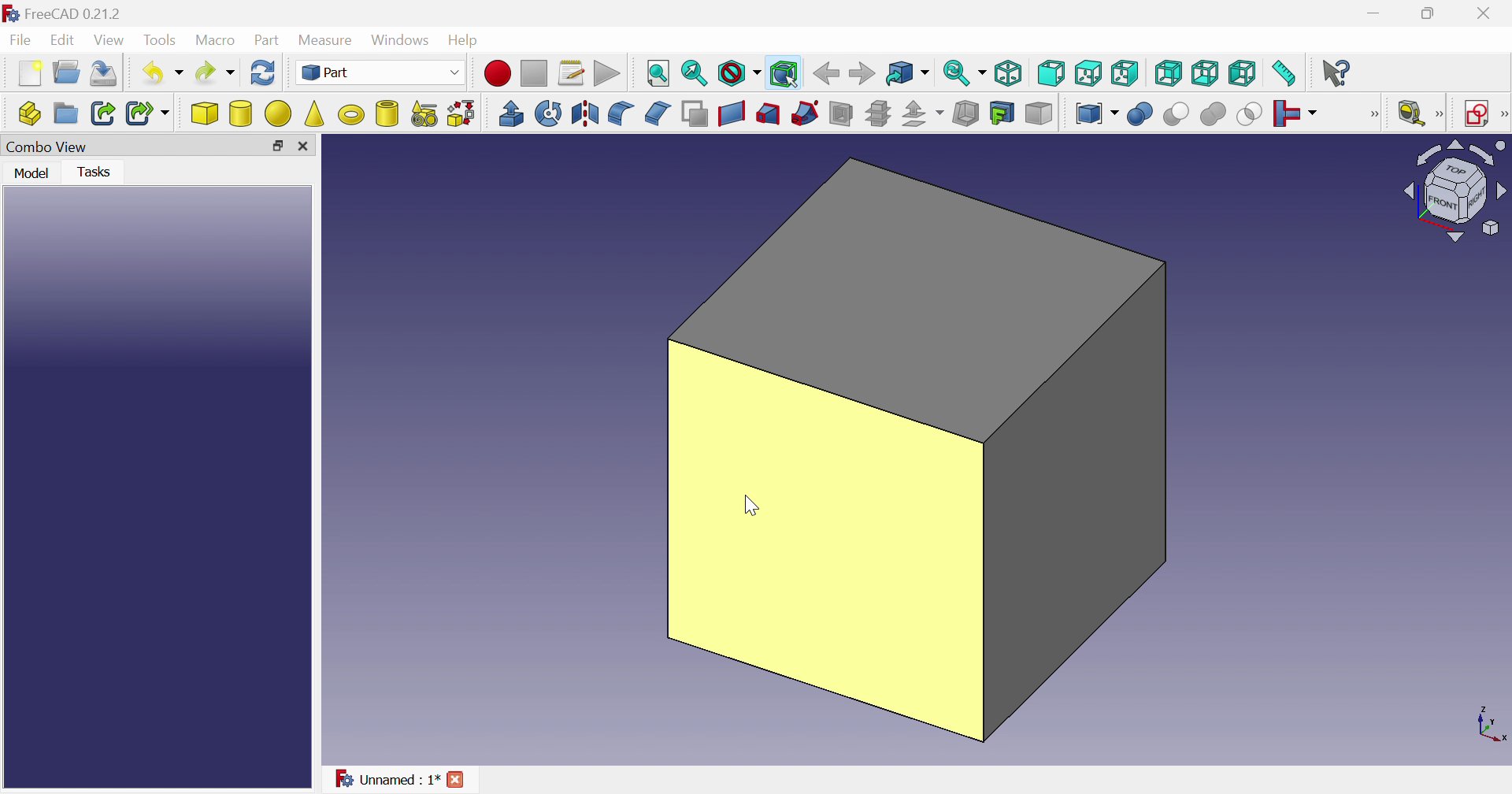 This screenshot has width=1512, height=794. What do you see at coordinates (1503, 113) in the screenshot?
I see `[Sketcher]` at bounding box center [1503, 113].